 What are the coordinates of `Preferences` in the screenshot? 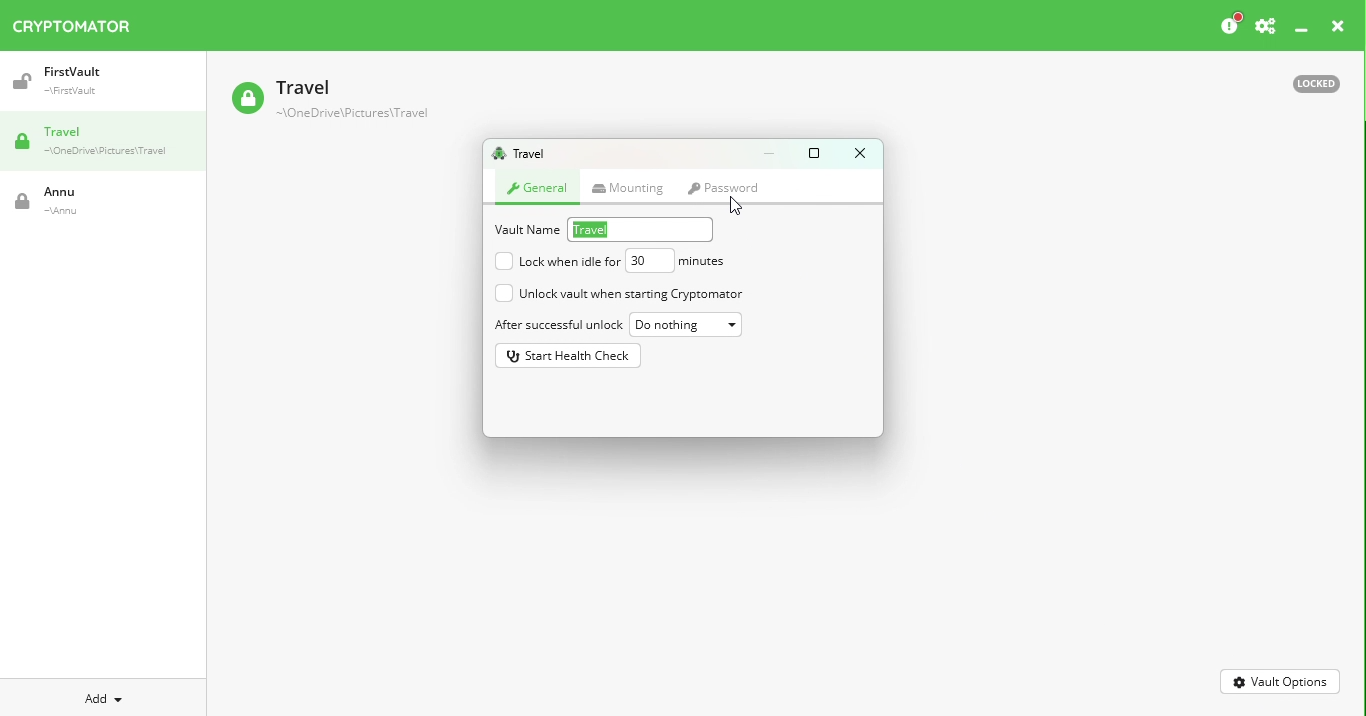 It's located at (1265, 27).